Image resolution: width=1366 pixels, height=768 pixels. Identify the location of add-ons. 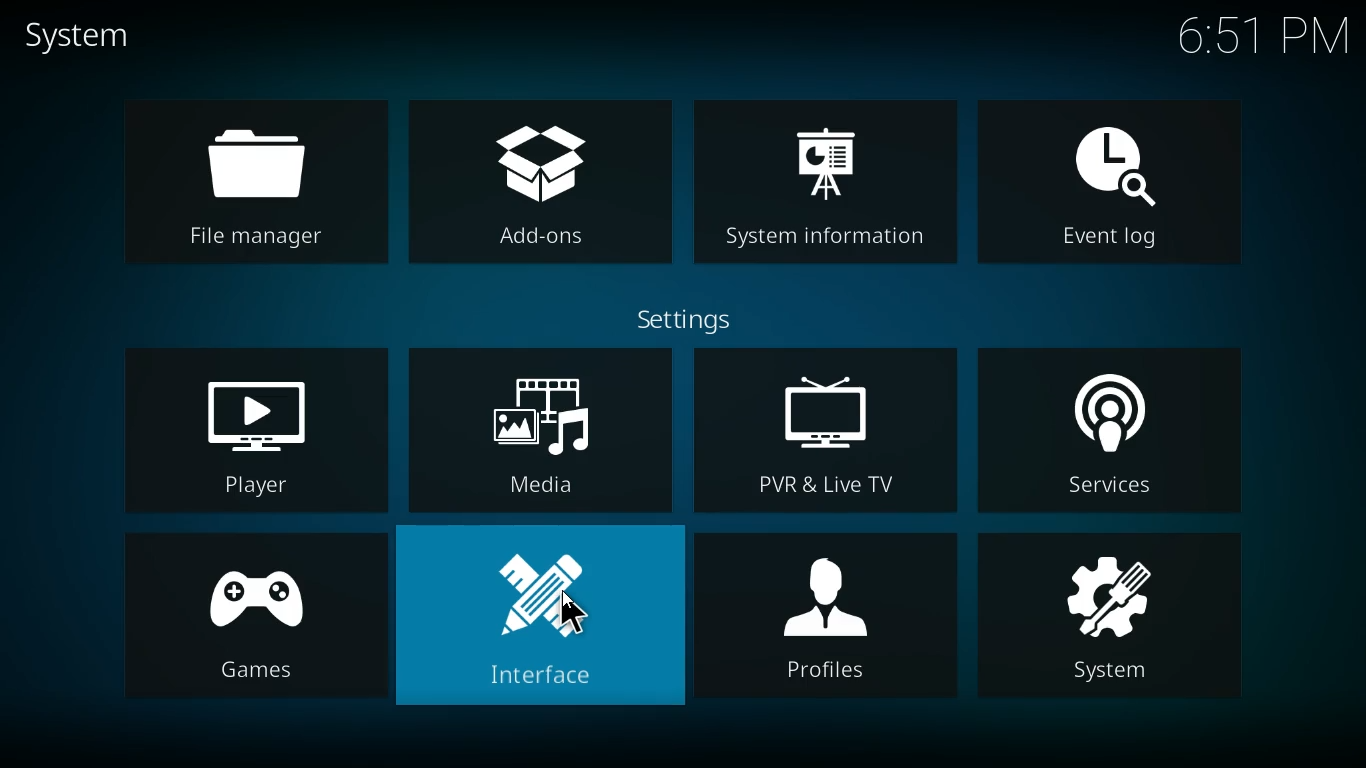
(541, 176).